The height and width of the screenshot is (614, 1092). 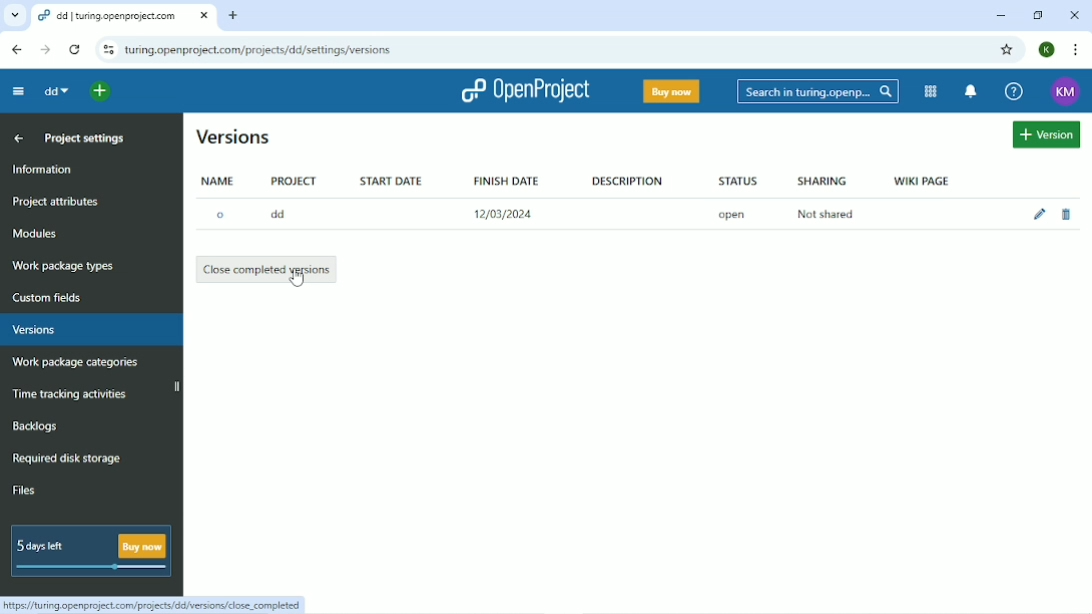 I want to click on Description, so click(x=629, y=179).